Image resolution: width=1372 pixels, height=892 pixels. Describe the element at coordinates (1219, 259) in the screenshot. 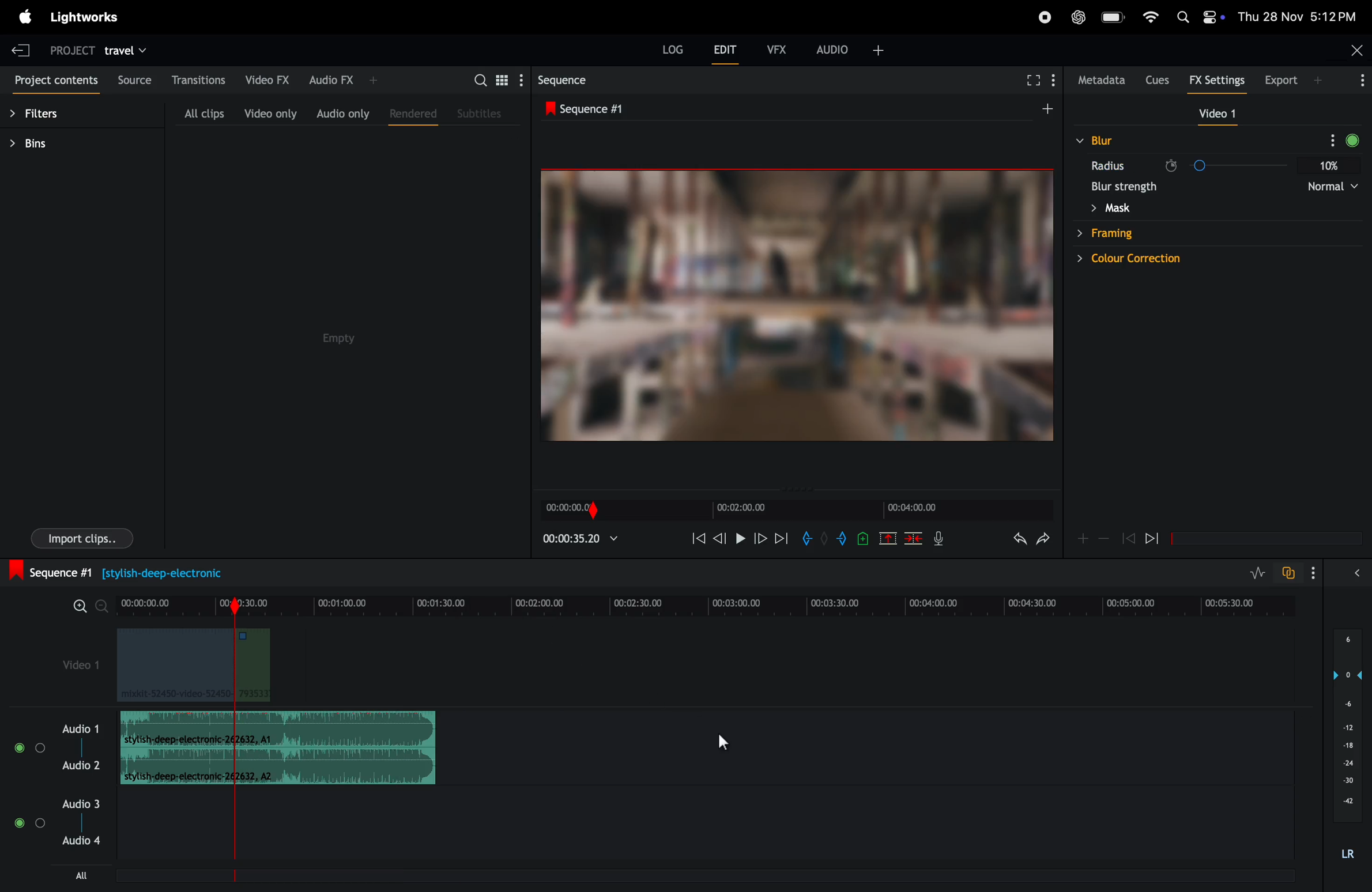

I see `colour correction` at that location.